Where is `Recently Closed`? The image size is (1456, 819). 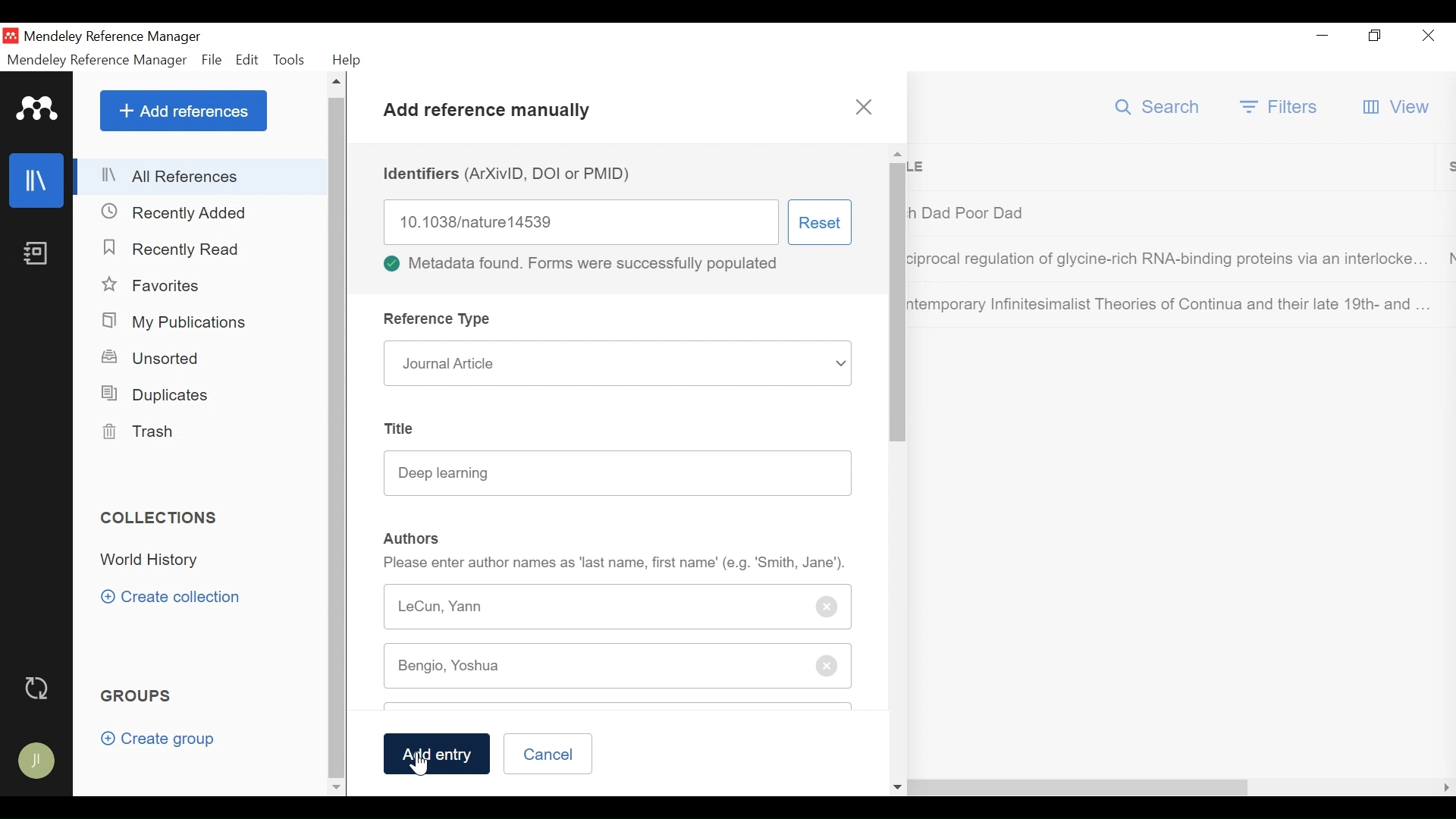
Recently Closed is located at coordinates (175, 213).